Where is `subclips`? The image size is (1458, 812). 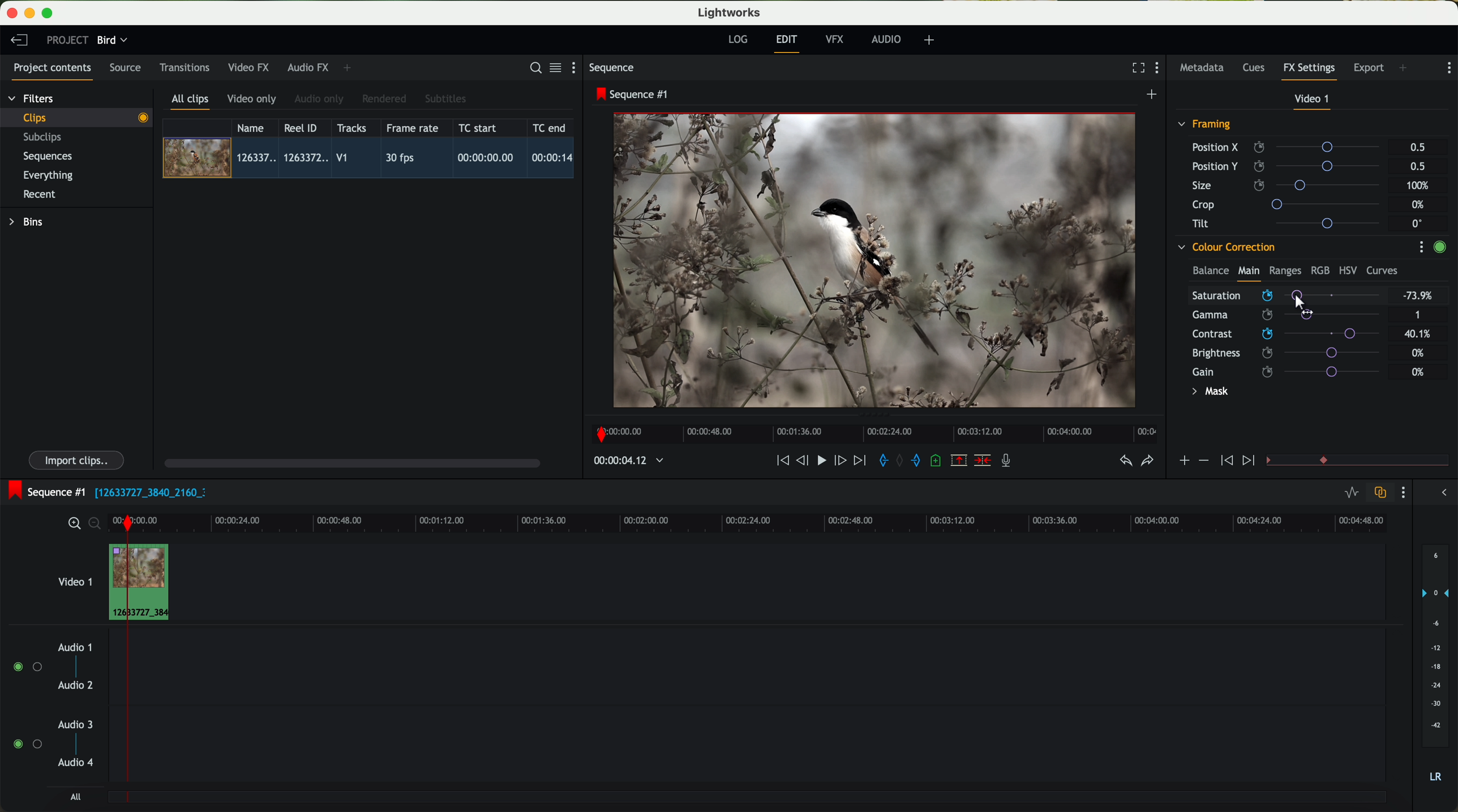 subclips is located at coordinates (45, 138).